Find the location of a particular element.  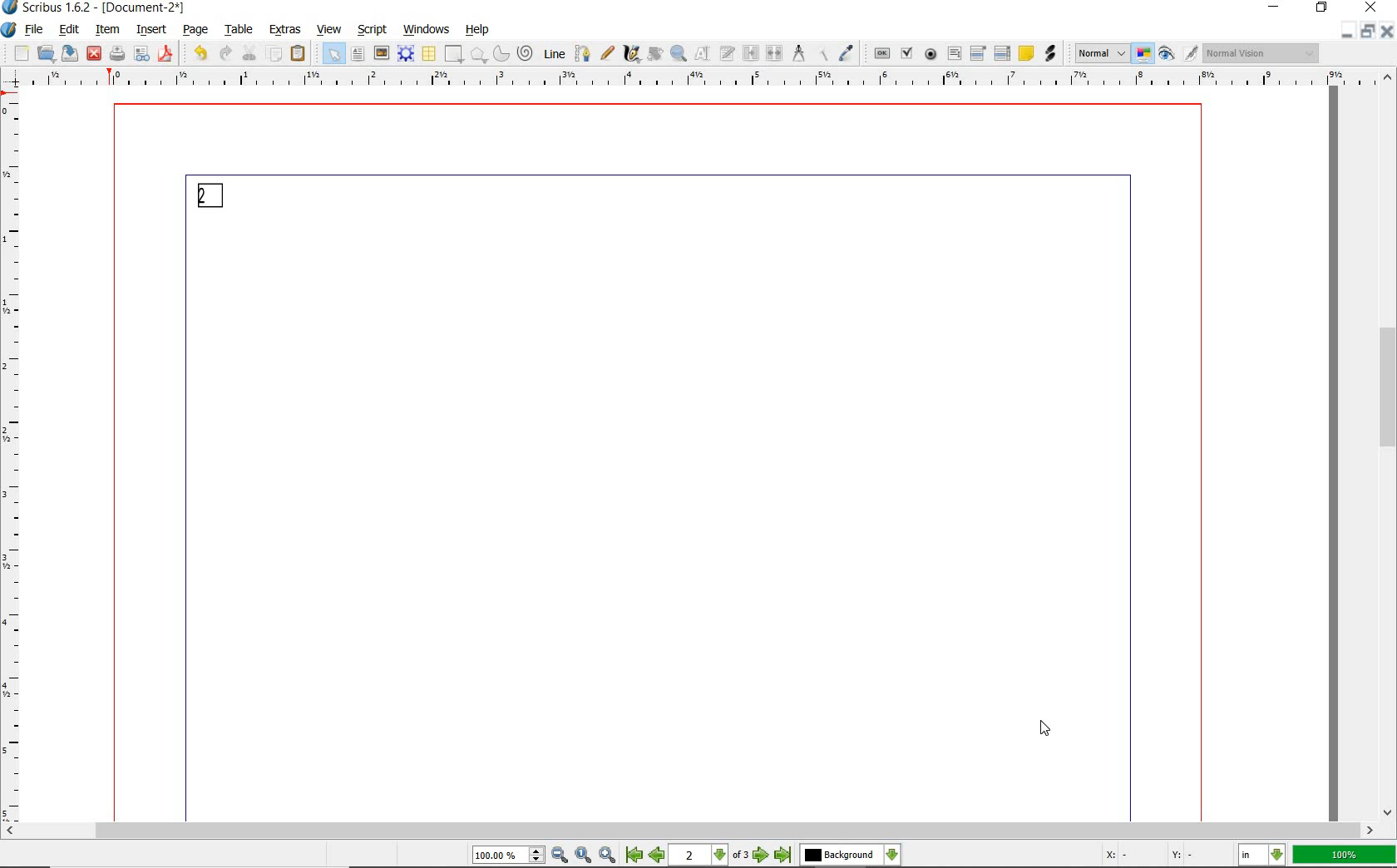

new is located at coordinates (22, 54).